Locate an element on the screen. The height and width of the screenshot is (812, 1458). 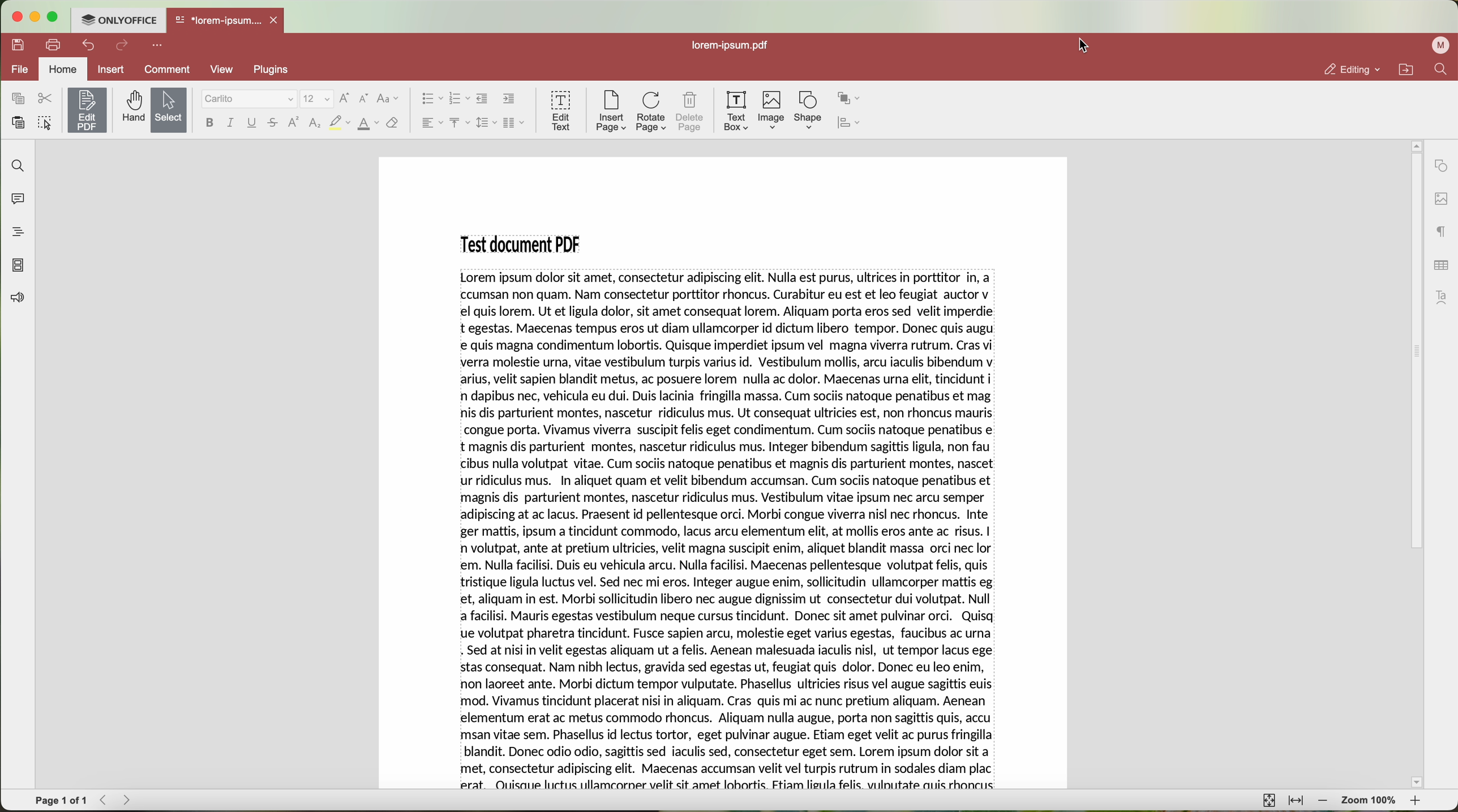
search is located at coordinates (21, 166).